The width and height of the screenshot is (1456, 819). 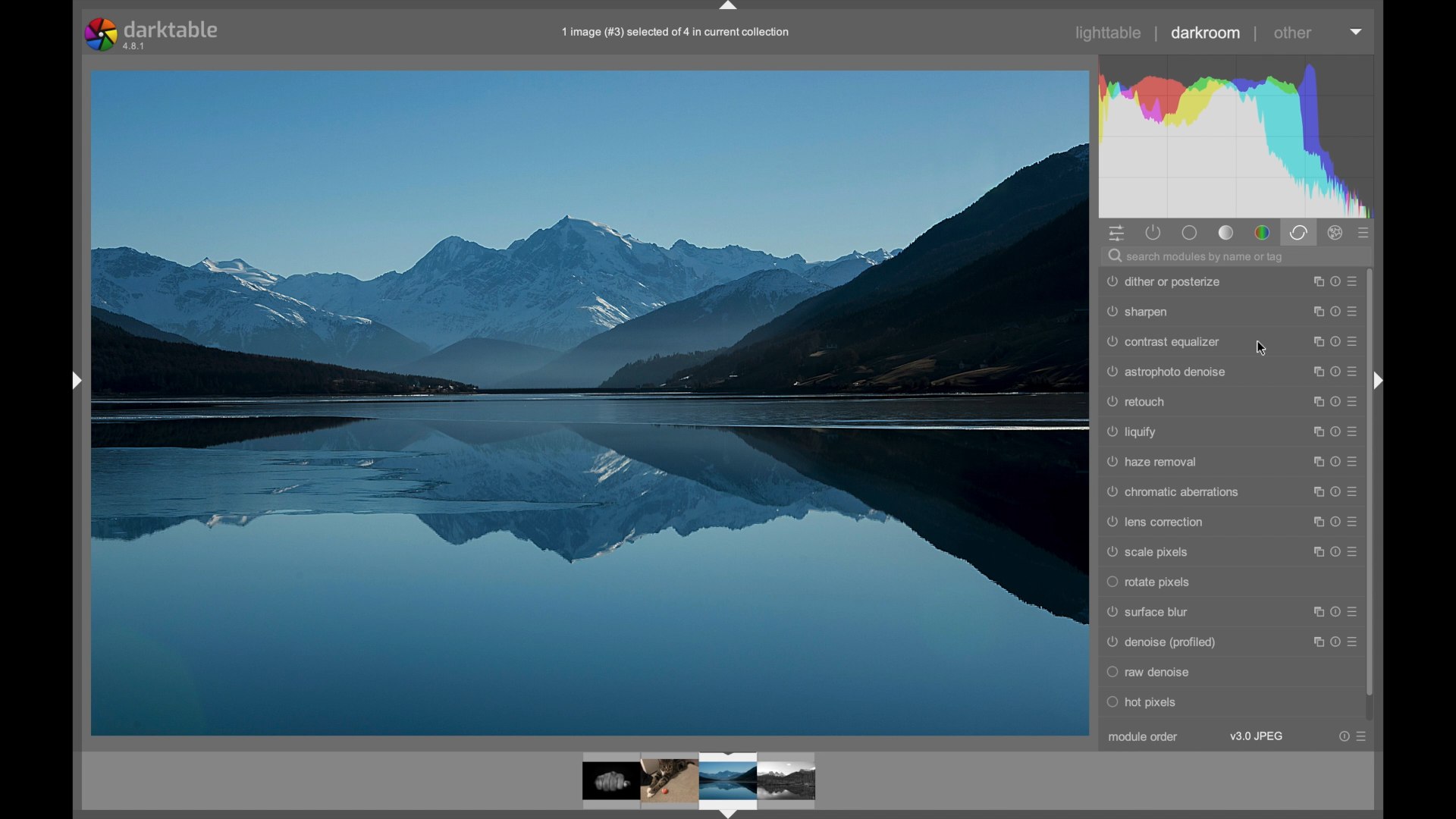 I want to click on darkroom, so click(x=1206, y=33).